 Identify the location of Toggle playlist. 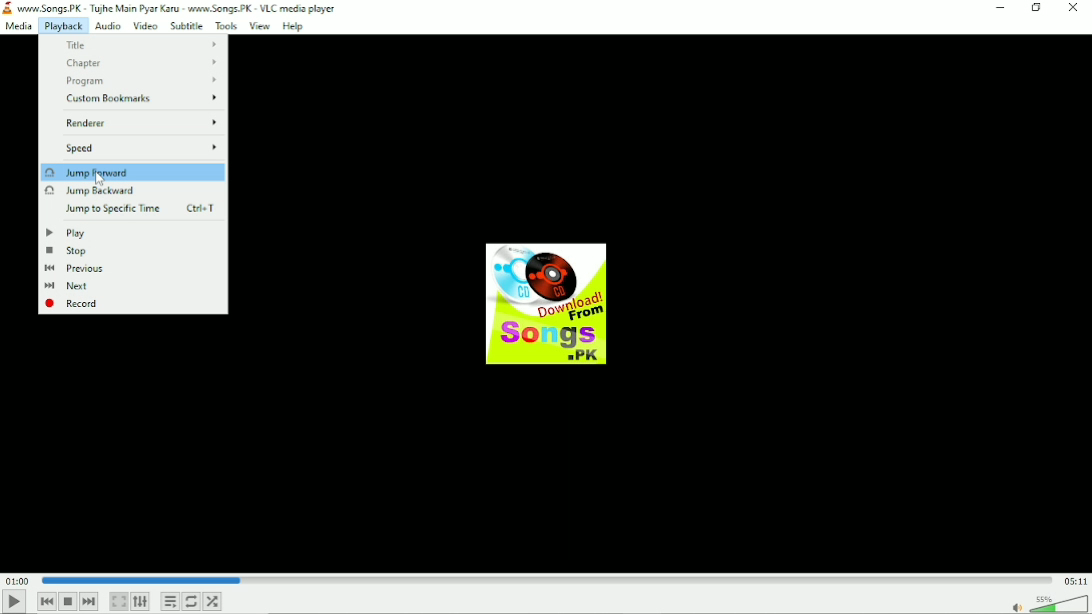
(170, 600).